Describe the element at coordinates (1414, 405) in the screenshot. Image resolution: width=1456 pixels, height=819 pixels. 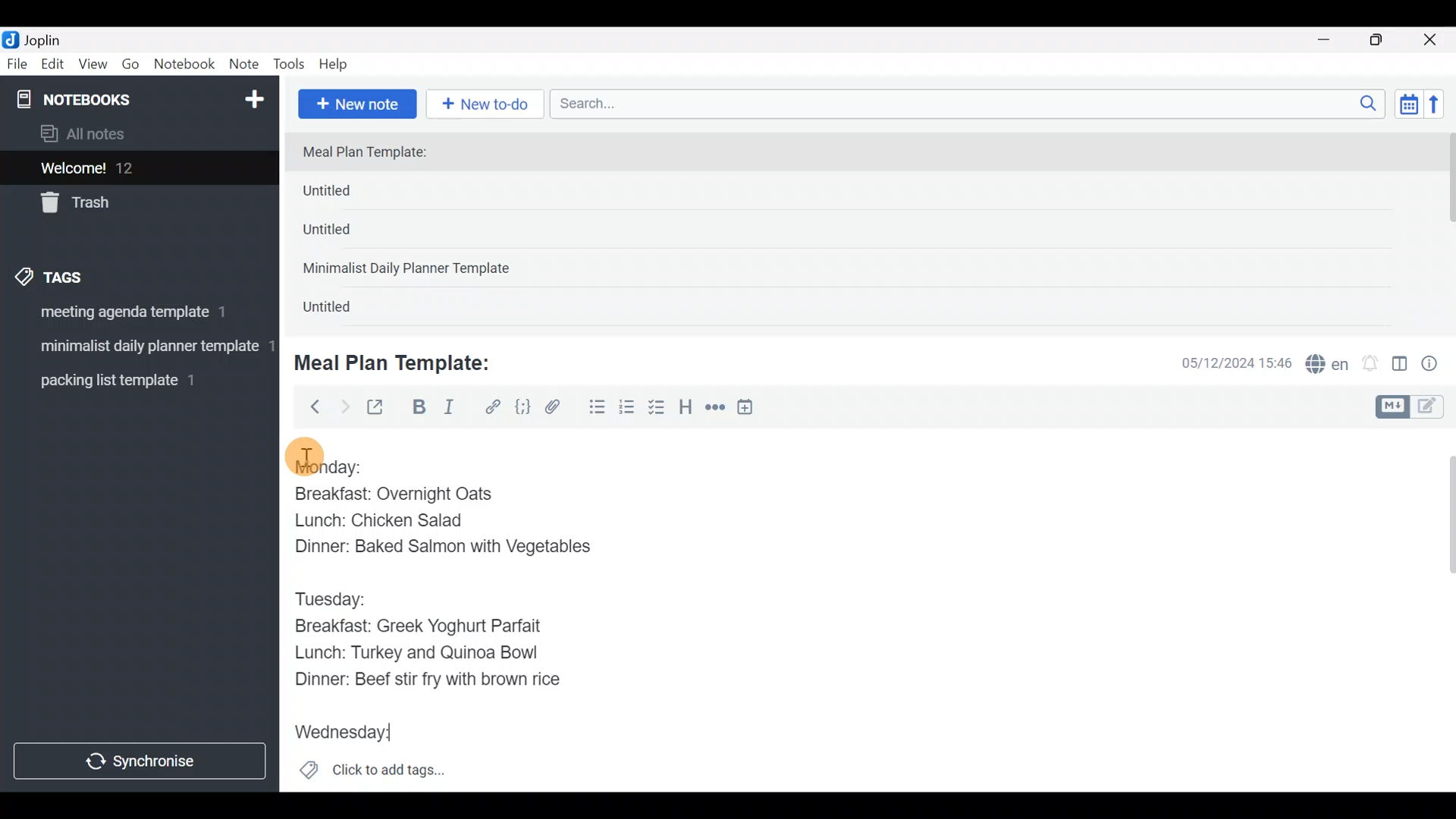
I see `Toggle editors` at that location.